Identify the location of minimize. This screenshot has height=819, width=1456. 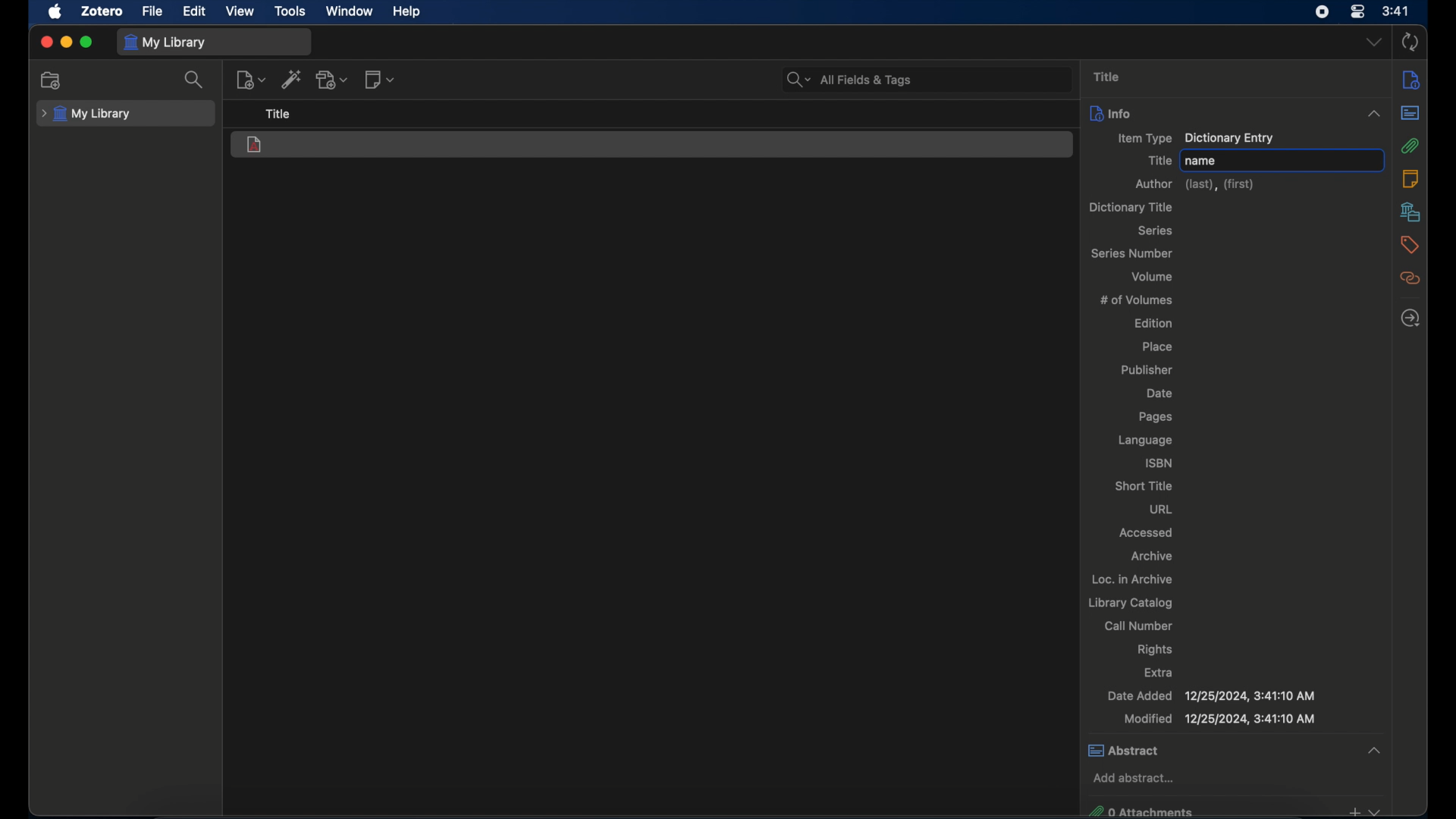
(67, 42).